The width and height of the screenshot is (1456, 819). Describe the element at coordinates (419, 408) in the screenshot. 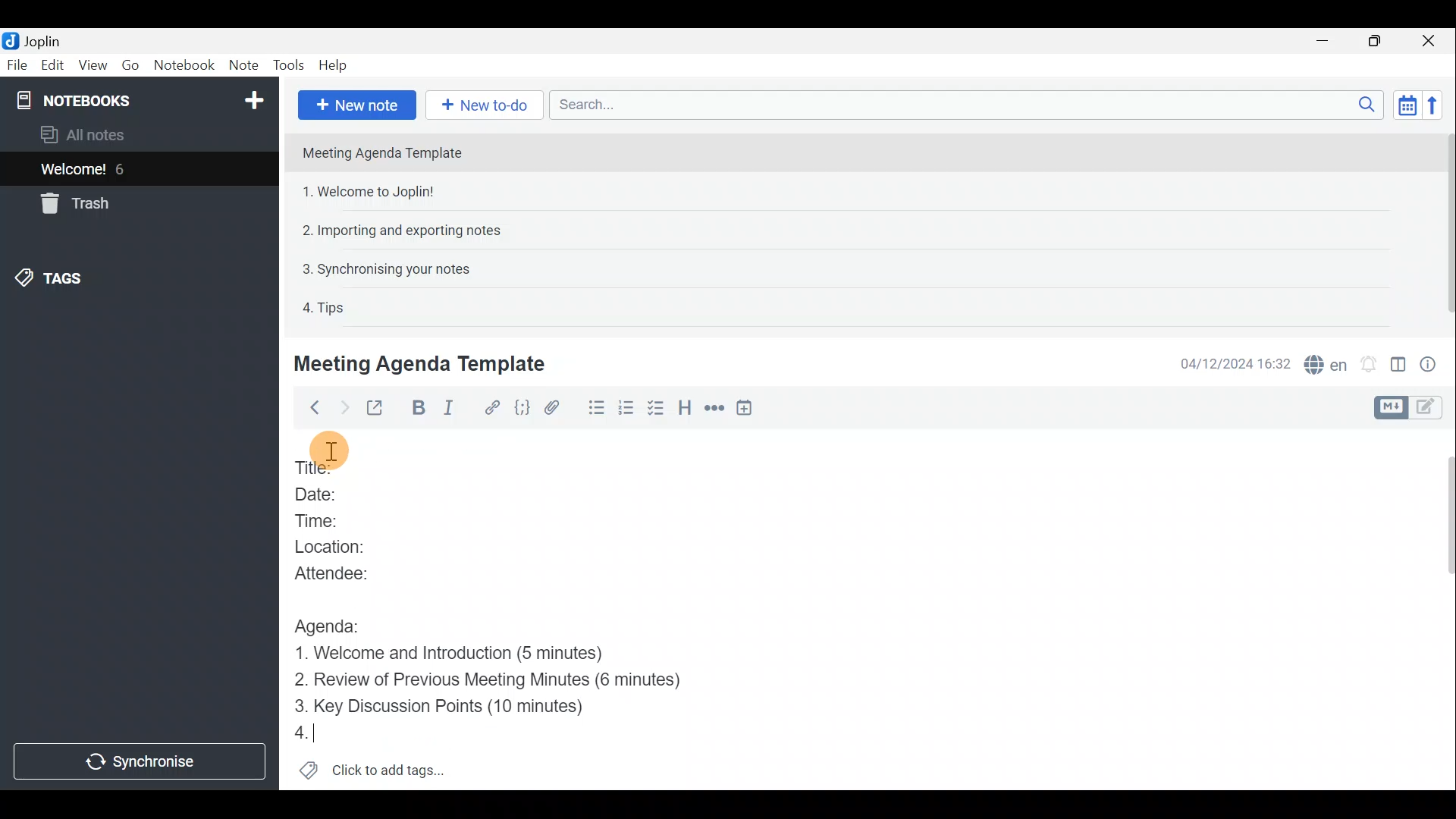

I see `Bold` at that location.